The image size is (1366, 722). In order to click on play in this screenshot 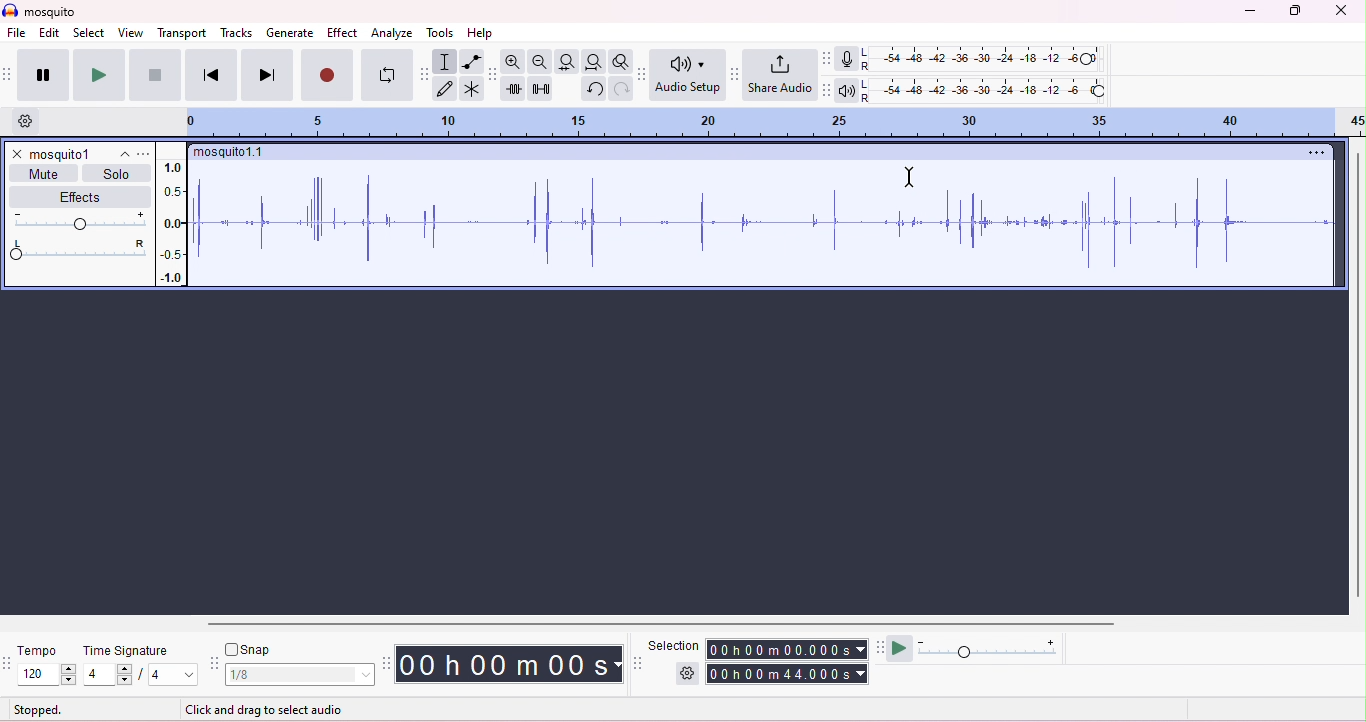, I will do `click(97, 74)`.